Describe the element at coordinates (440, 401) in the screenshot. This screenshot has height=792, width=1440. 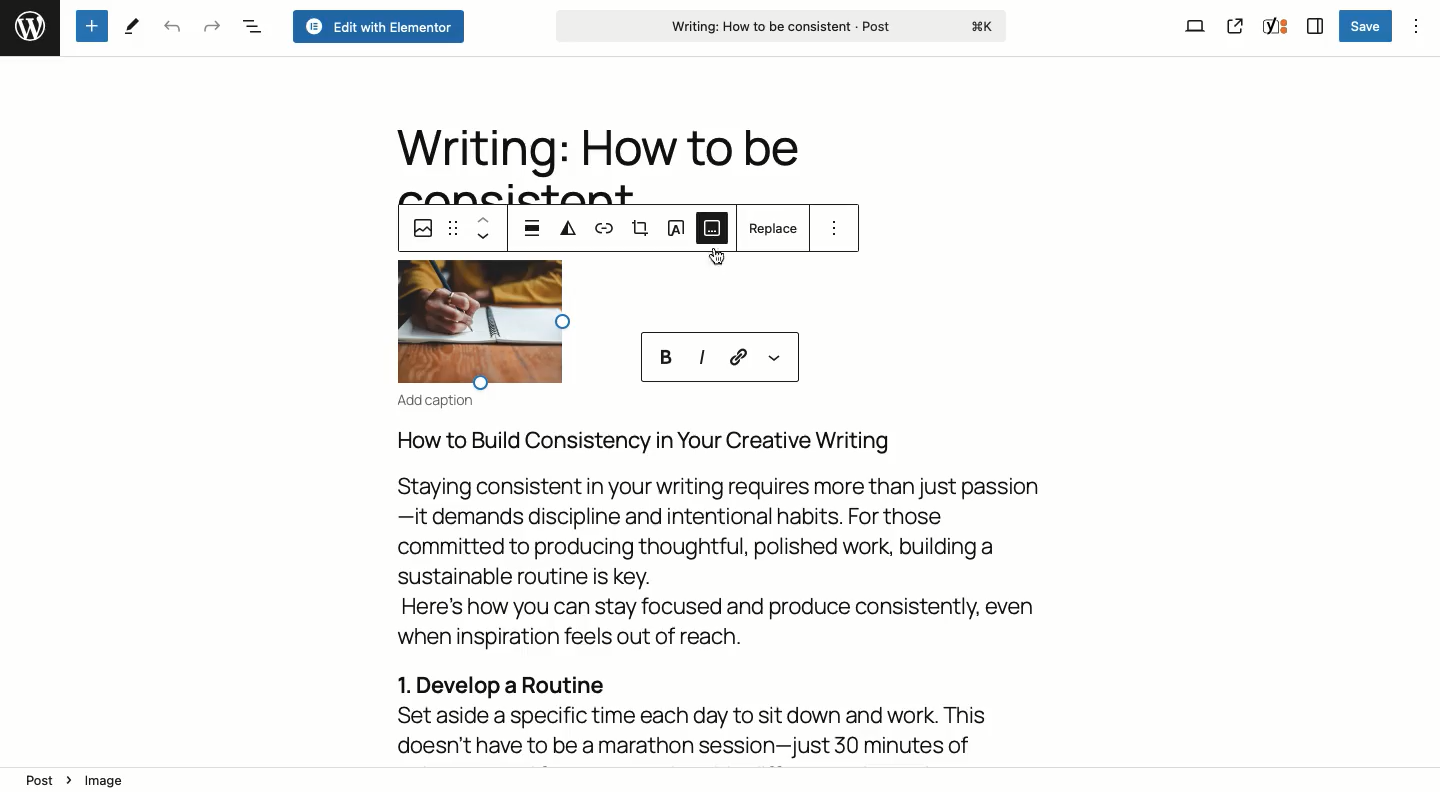
I see `Add caption` at that location.